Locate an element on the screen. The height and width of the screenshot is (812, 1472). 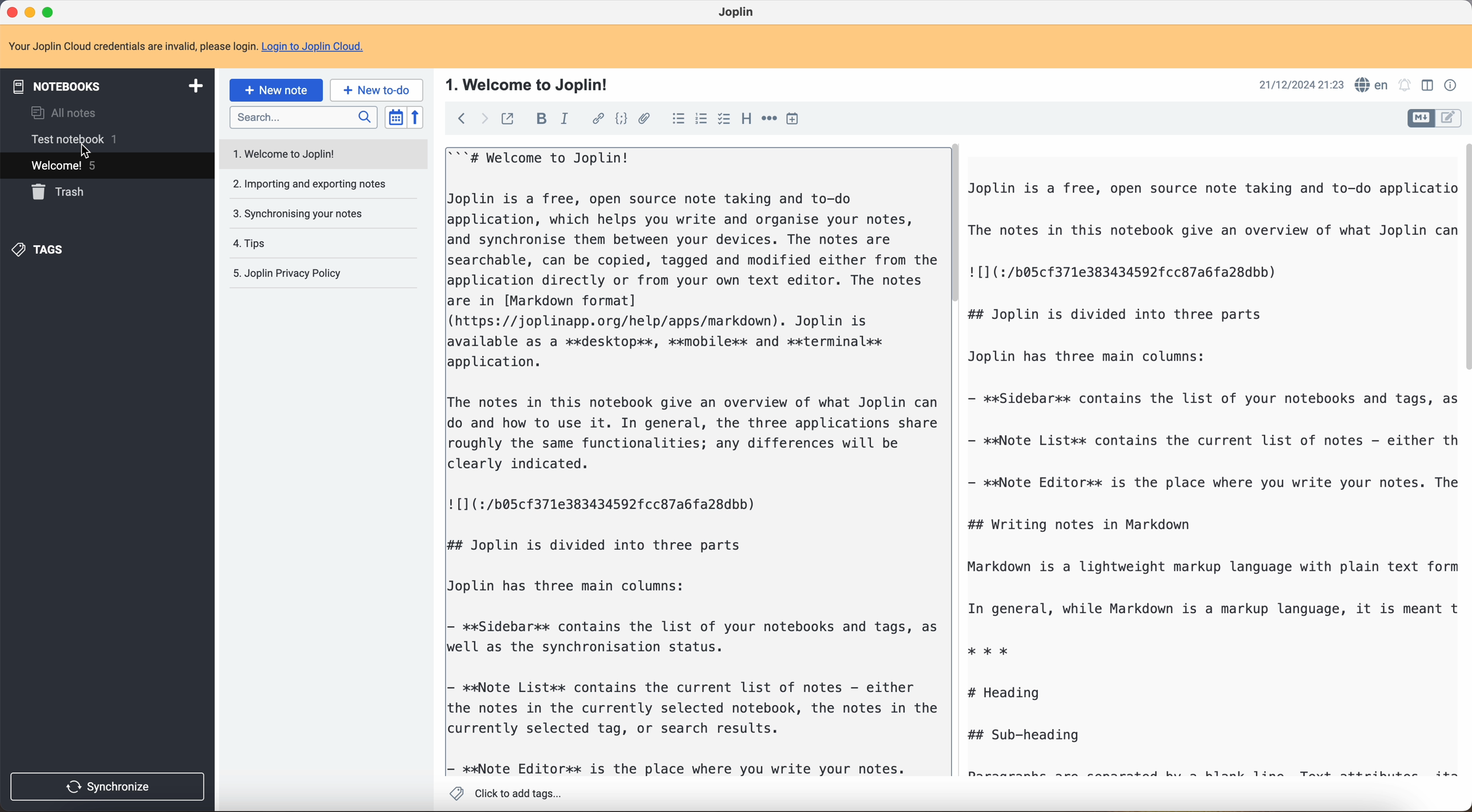
code is located at coordinates (620, 120).